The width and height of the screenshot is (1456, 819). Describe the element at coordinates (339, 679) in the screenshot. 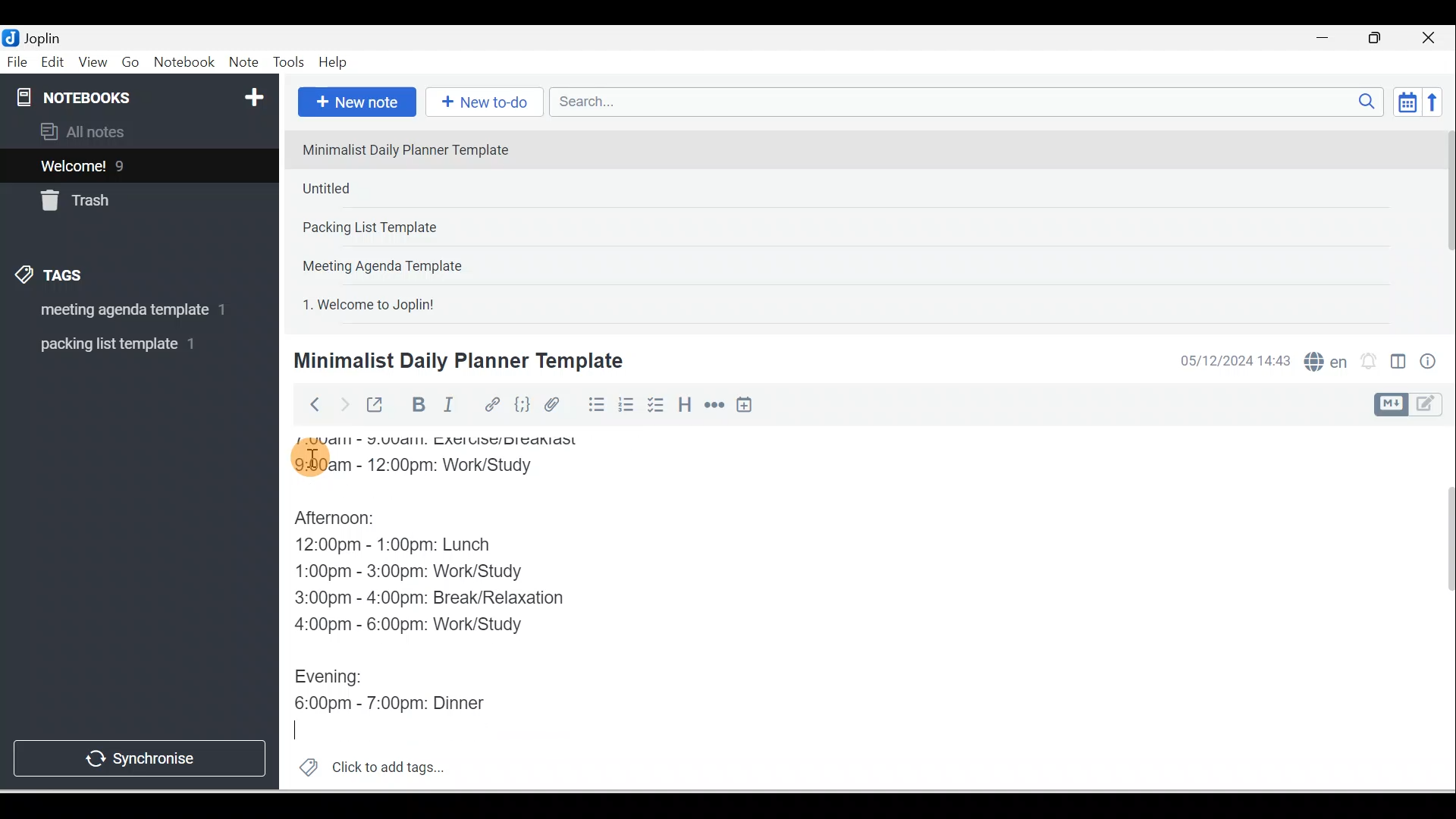

I see `Evening:` at that location.